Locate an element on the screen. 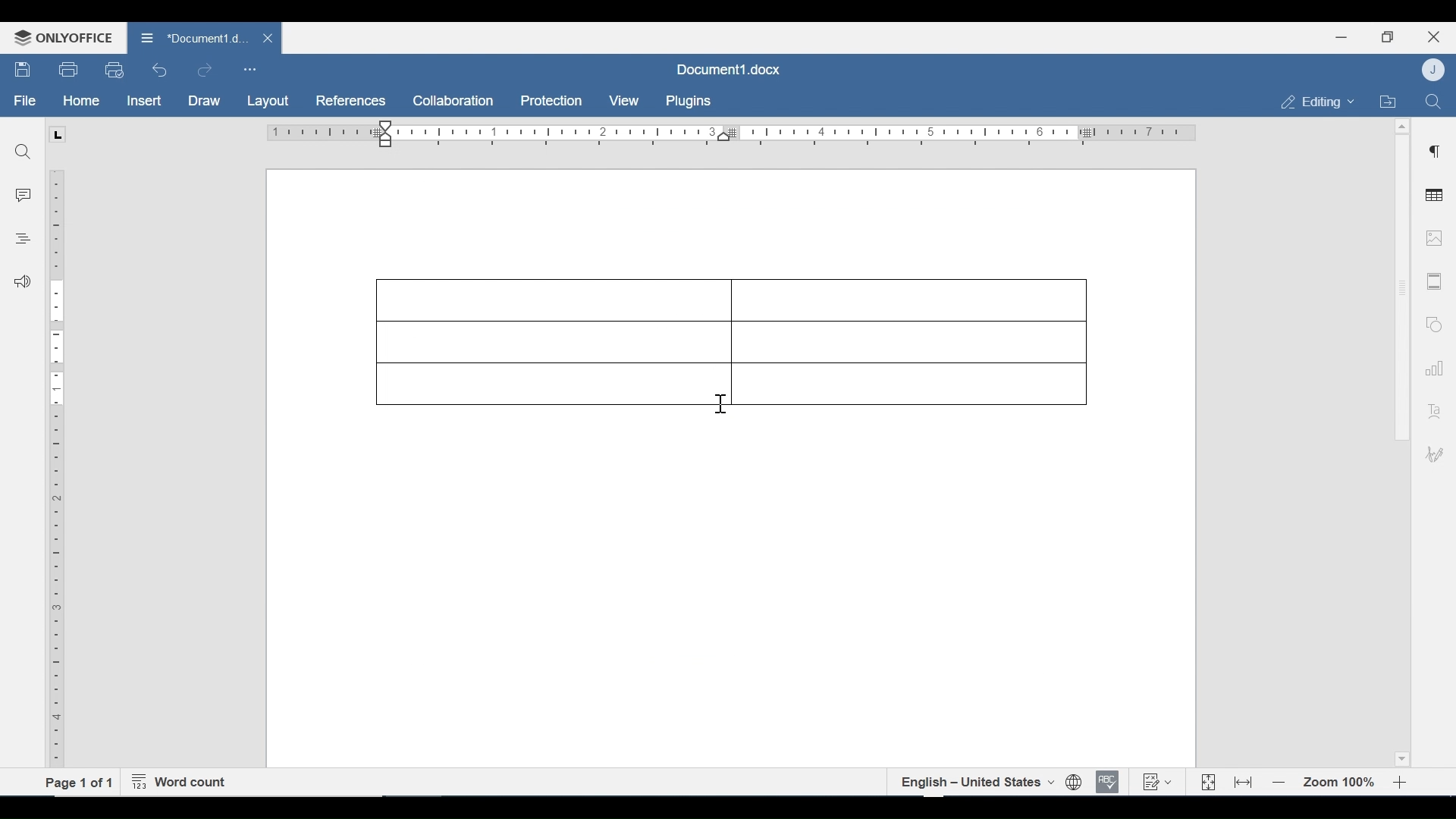 Image resolution: width=1456 pixels, height=819 pixels. Signature is located at coordinates (1432, 456).